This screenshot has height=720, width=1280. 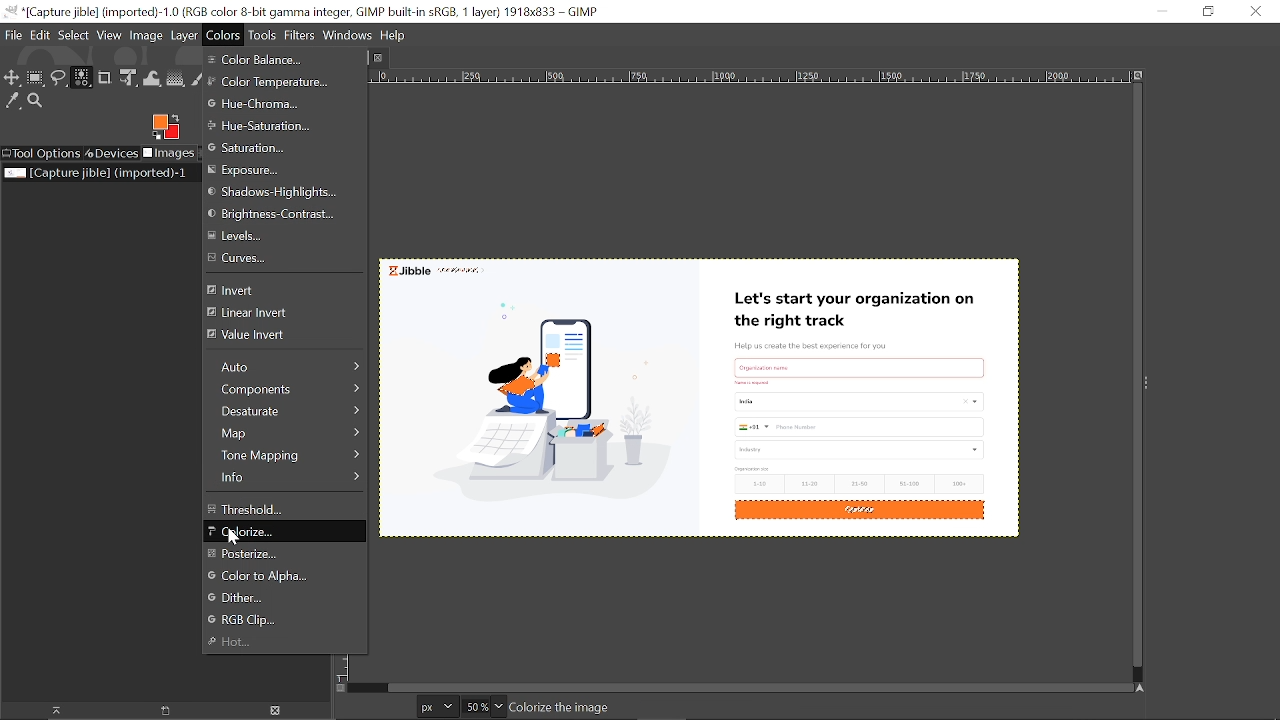 What do you see at coordinates (257, 170) in the screenshot?
I see `Exposure` at bounding box center [257, 170].